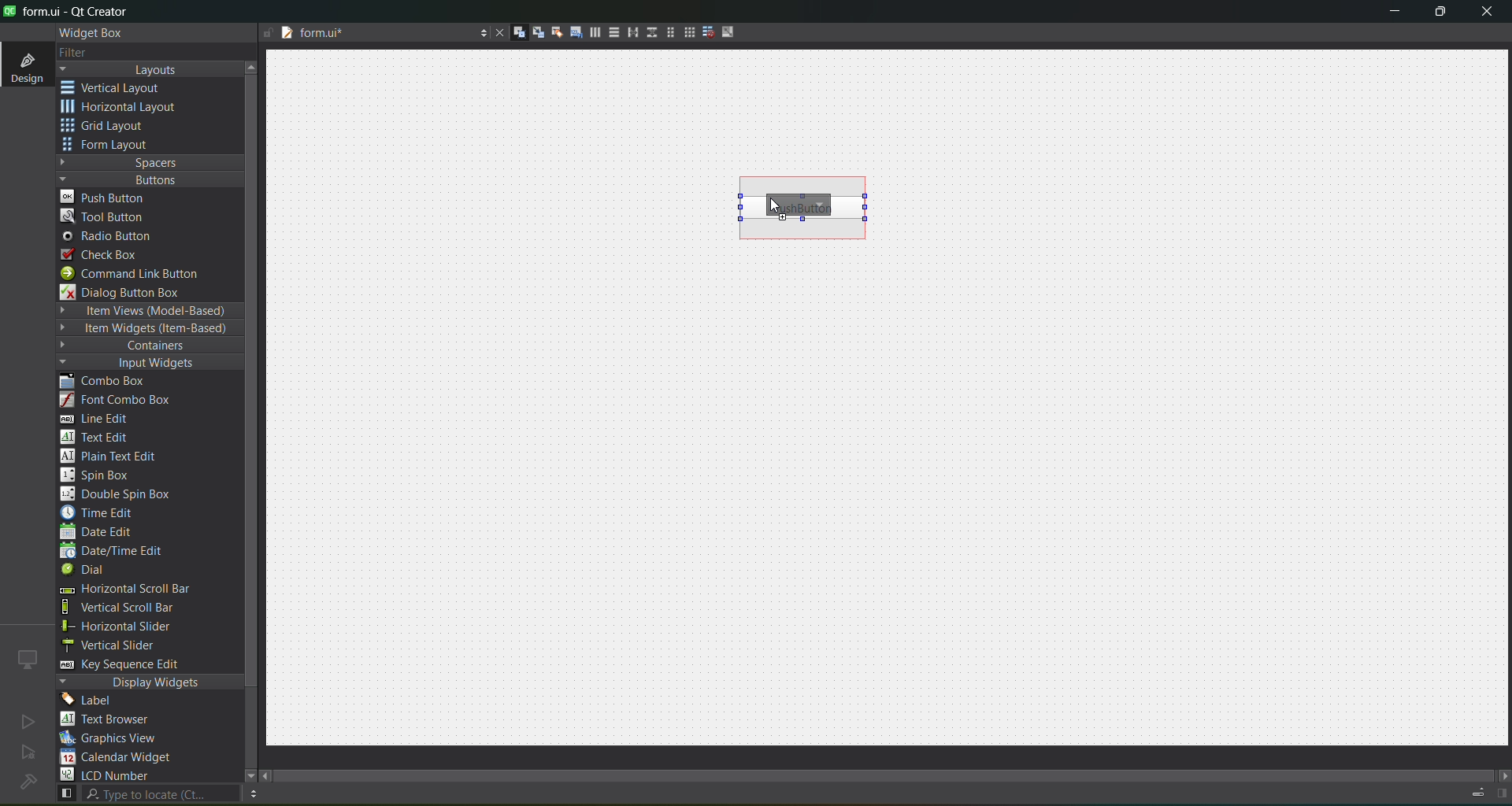 This screenshot has width=1512, height=806. What do you see at coordinates (570, 35) in the screenshot?
I see `edit tab` at bounding box center [570, 35].